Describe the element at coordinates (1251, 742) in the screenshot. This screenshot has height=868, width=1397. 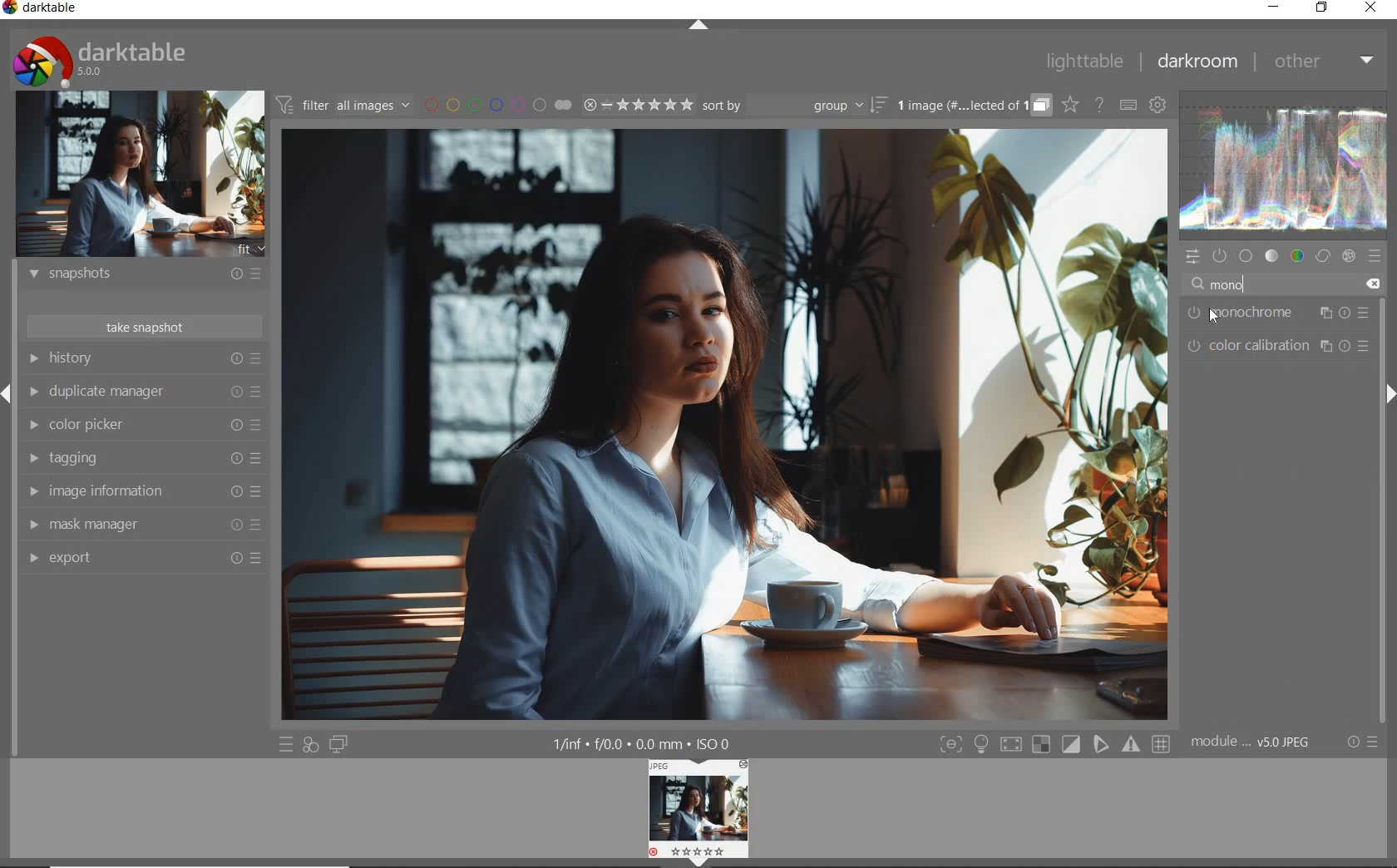
I see `module..v50JPEG` at that location.